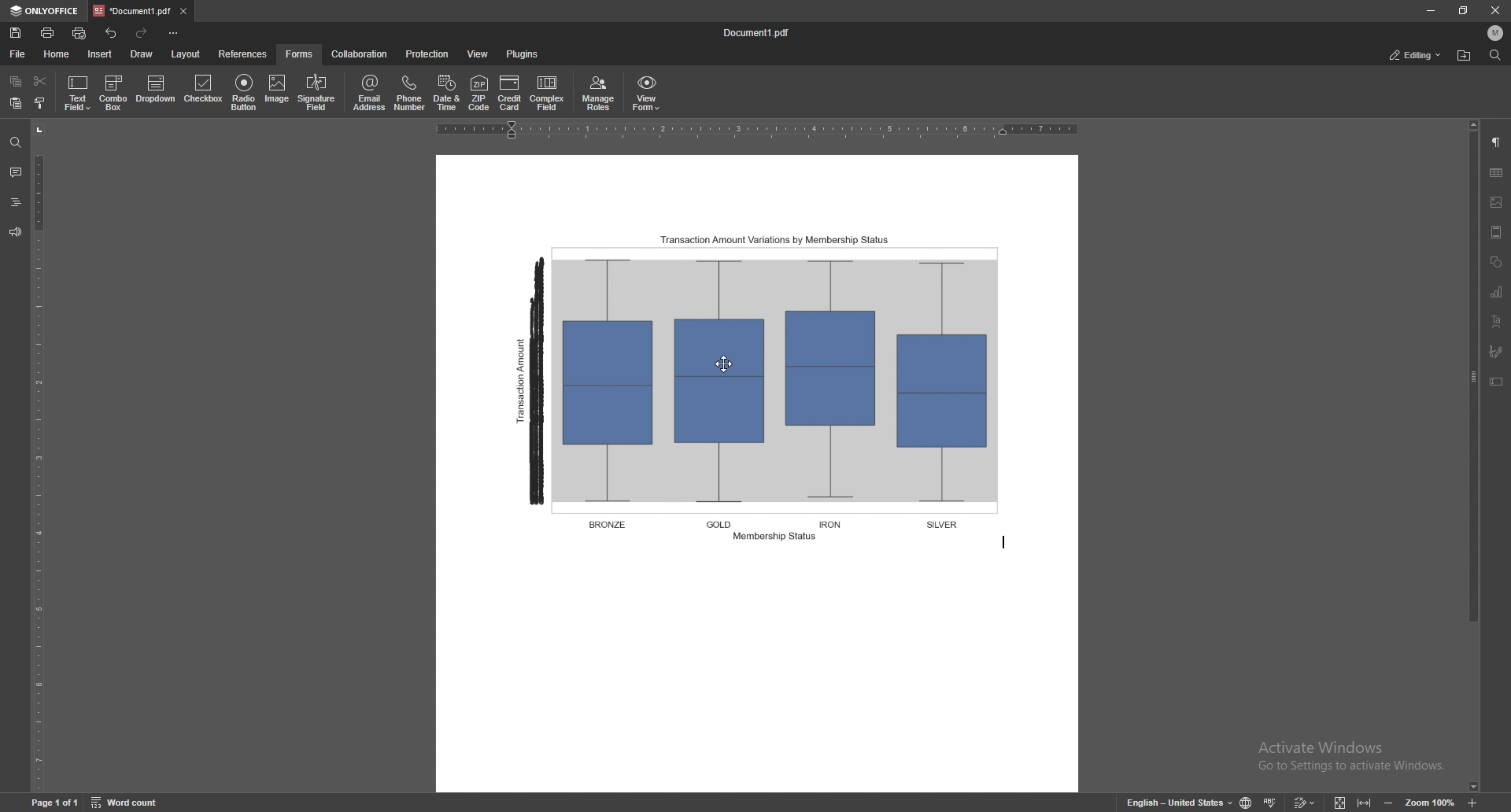 This screenshot has width=1511, height=812. What do you see at coordinates (1497, 231) in the screenshot?
I see `header and footer` at bounding box center [1497, 231].